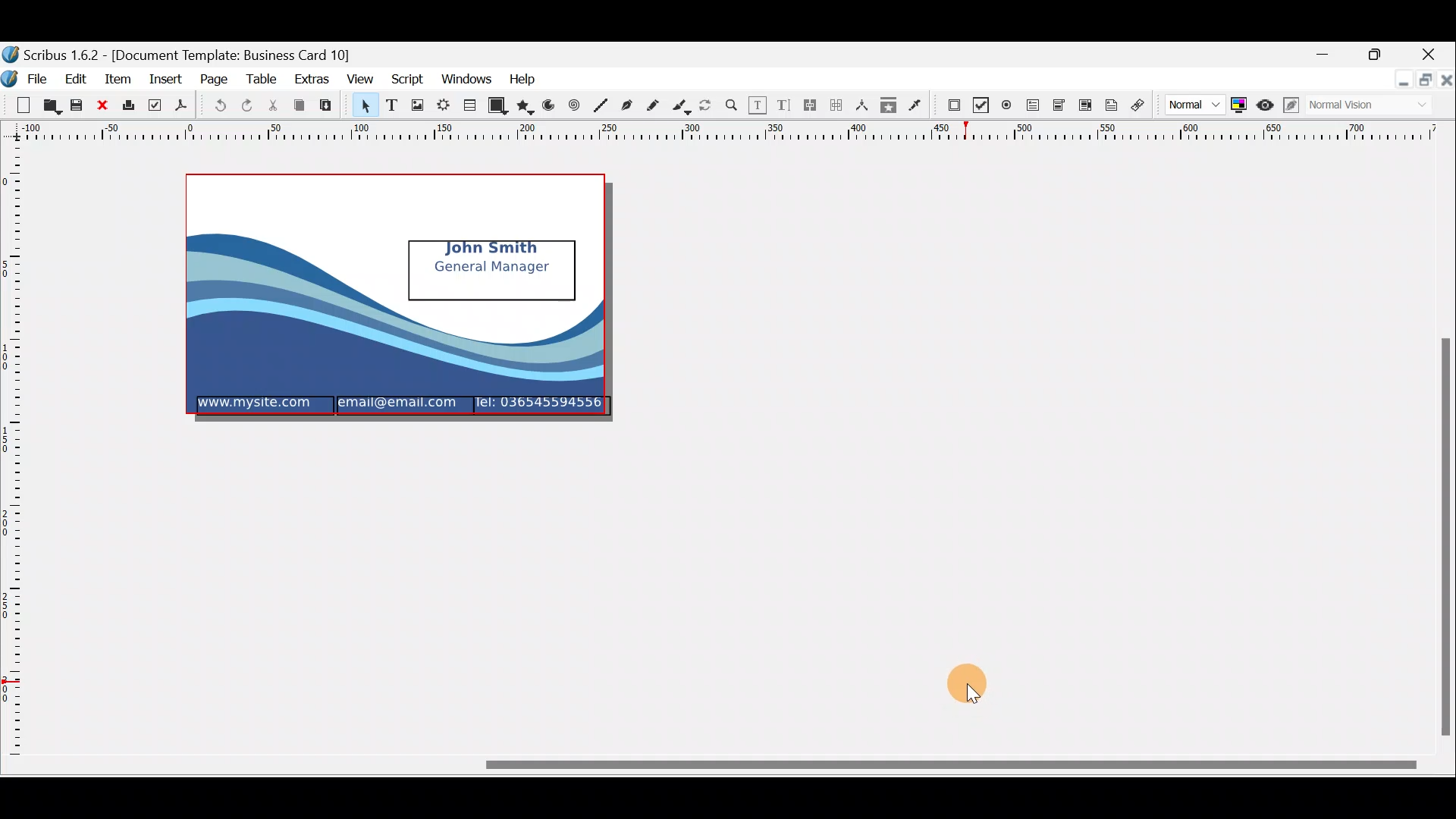 The height and width of the screenshot is (819, 1456). What do you see at coordinates (1385, 54) in the screenshot?
I see `Maximise` at bounding box center [1385, 54].